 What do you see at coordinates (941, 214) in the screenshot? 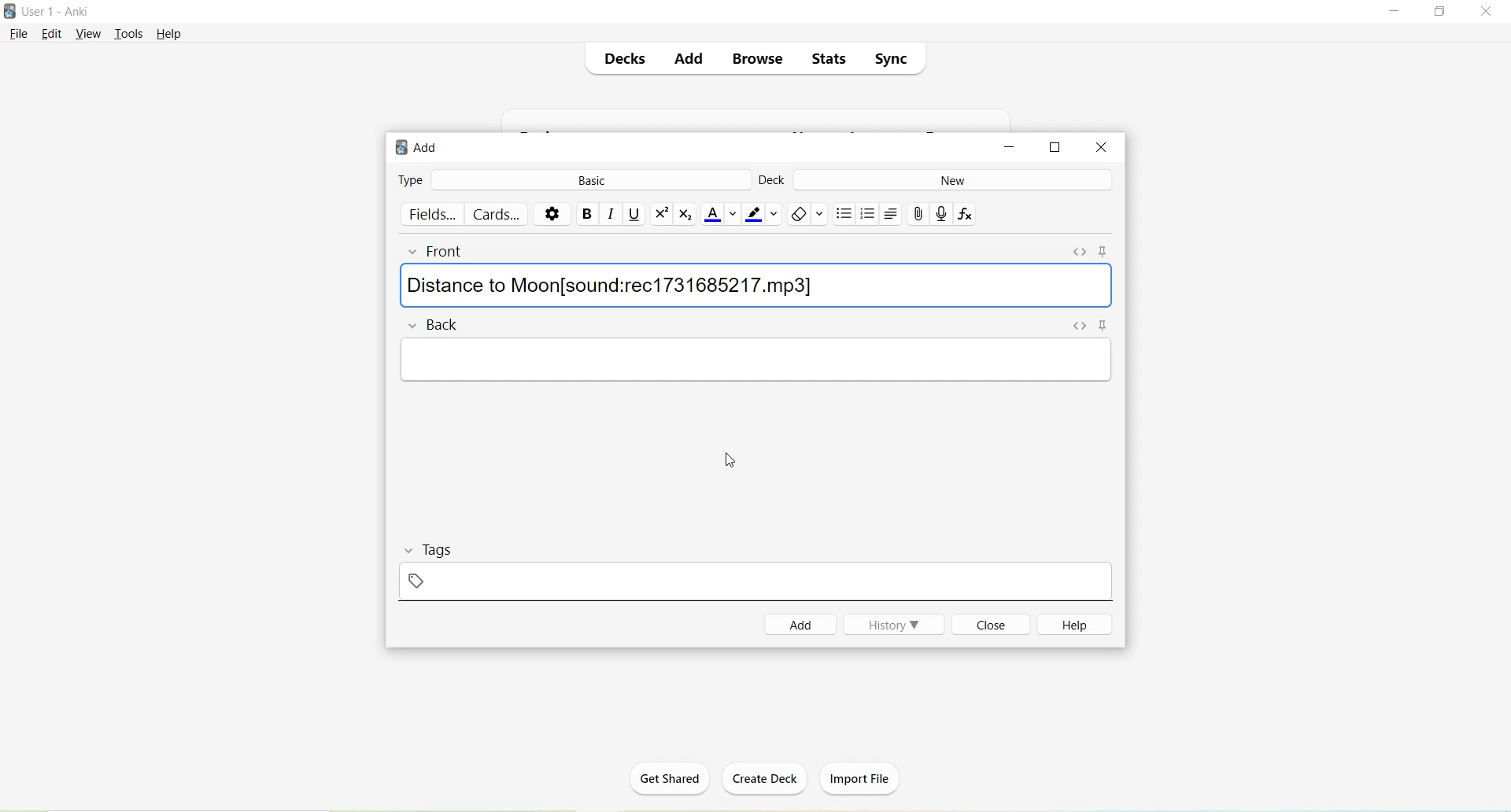
I see `Record Audio` at bounding box center [941, 214].